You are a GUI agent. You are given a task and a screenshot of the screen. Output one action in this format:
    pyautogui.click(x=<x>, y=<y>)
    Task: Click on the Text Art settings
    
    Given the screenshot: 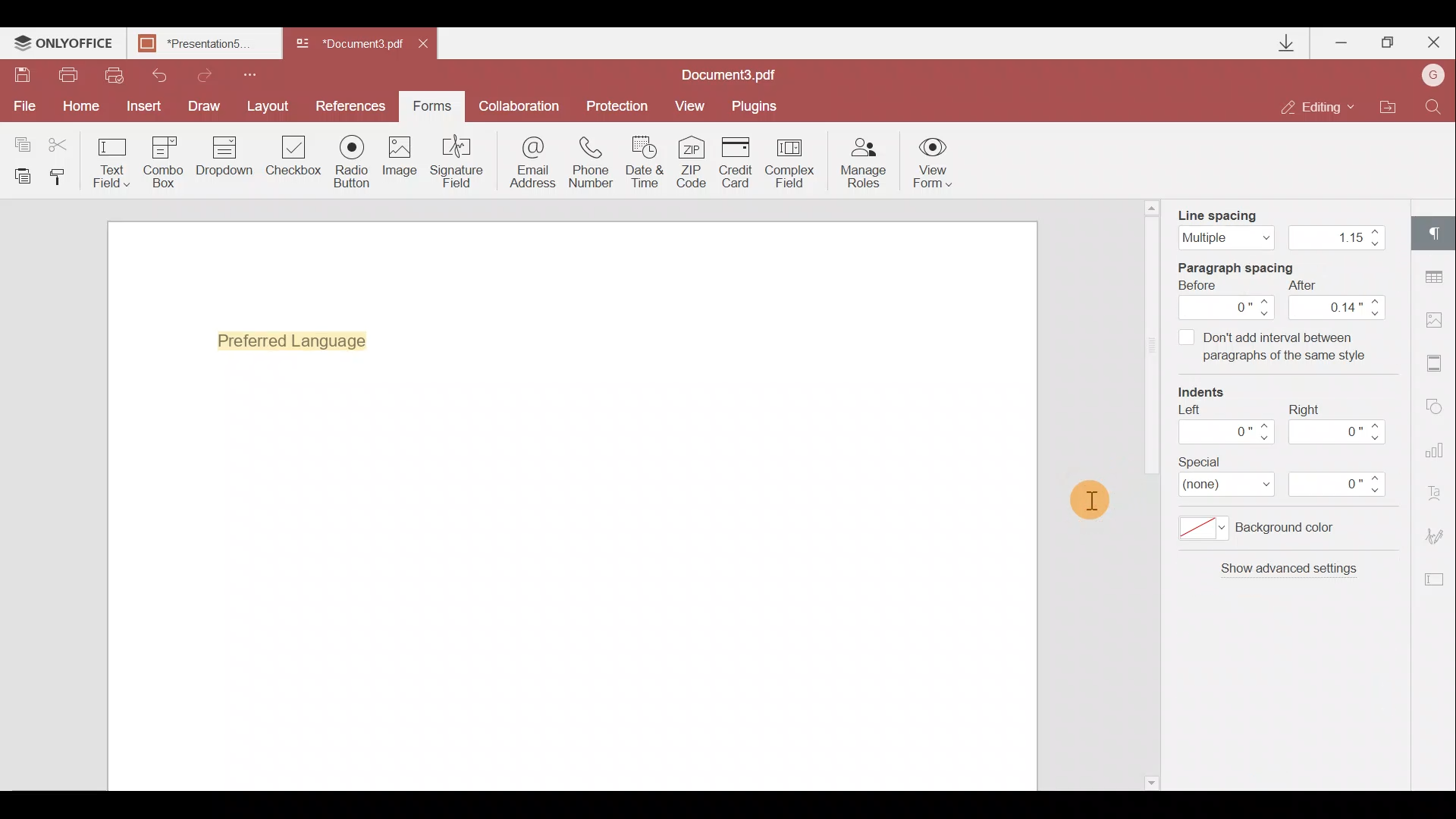 What is the action you would take?
    pyautogui.click(x=1439, y=497)
    